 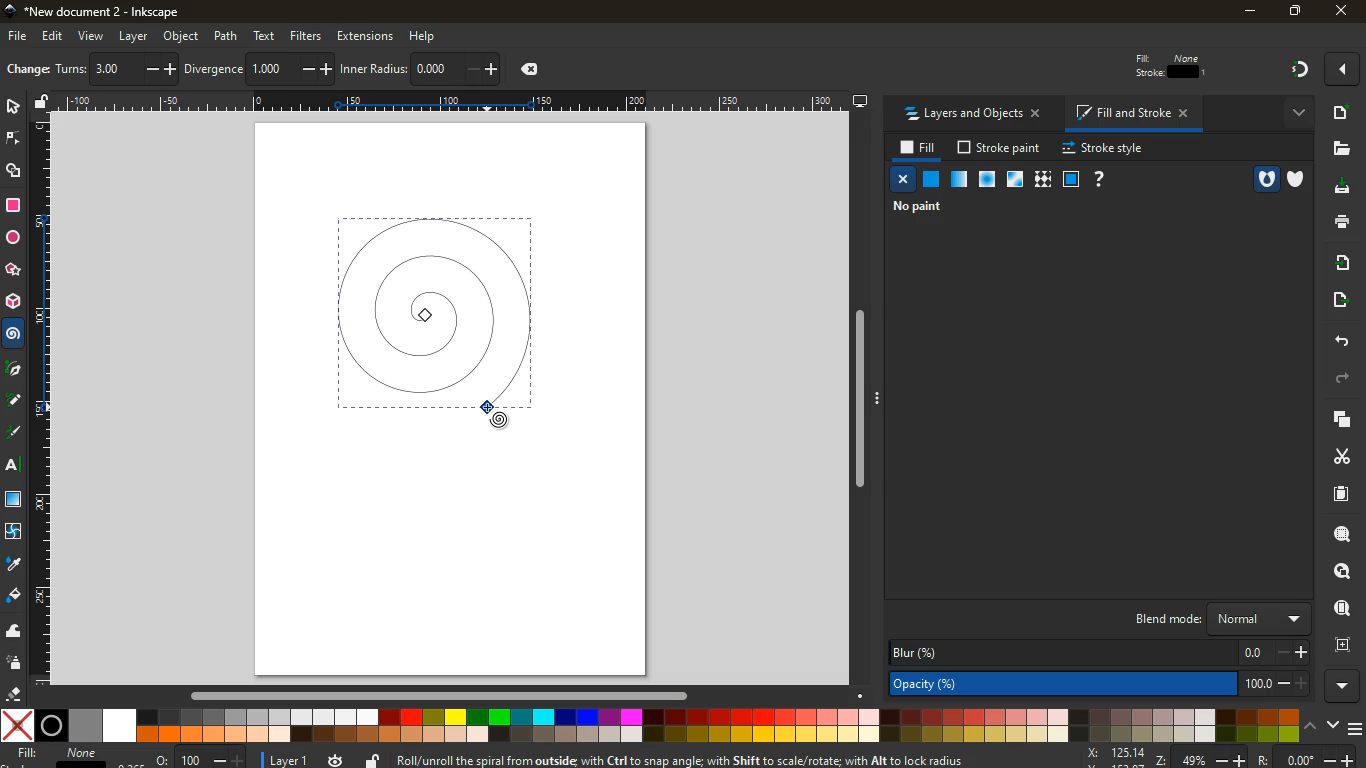 What do you see at coordinates (1294, 115) in the screenshot?
I see `more` at bounding box center [1294, 115].